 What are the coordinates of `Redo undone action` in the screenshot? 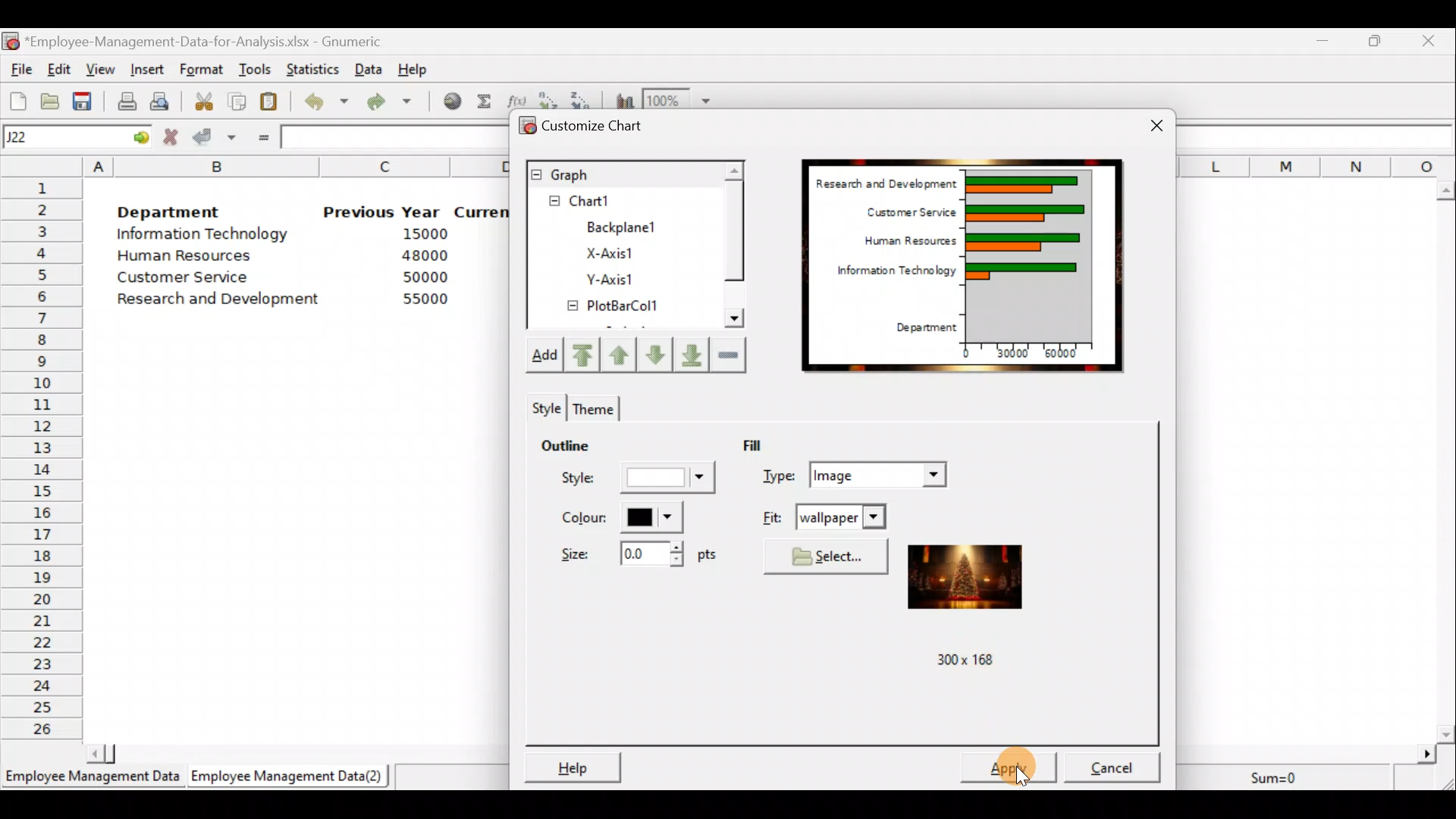 It's located at (397, 103).